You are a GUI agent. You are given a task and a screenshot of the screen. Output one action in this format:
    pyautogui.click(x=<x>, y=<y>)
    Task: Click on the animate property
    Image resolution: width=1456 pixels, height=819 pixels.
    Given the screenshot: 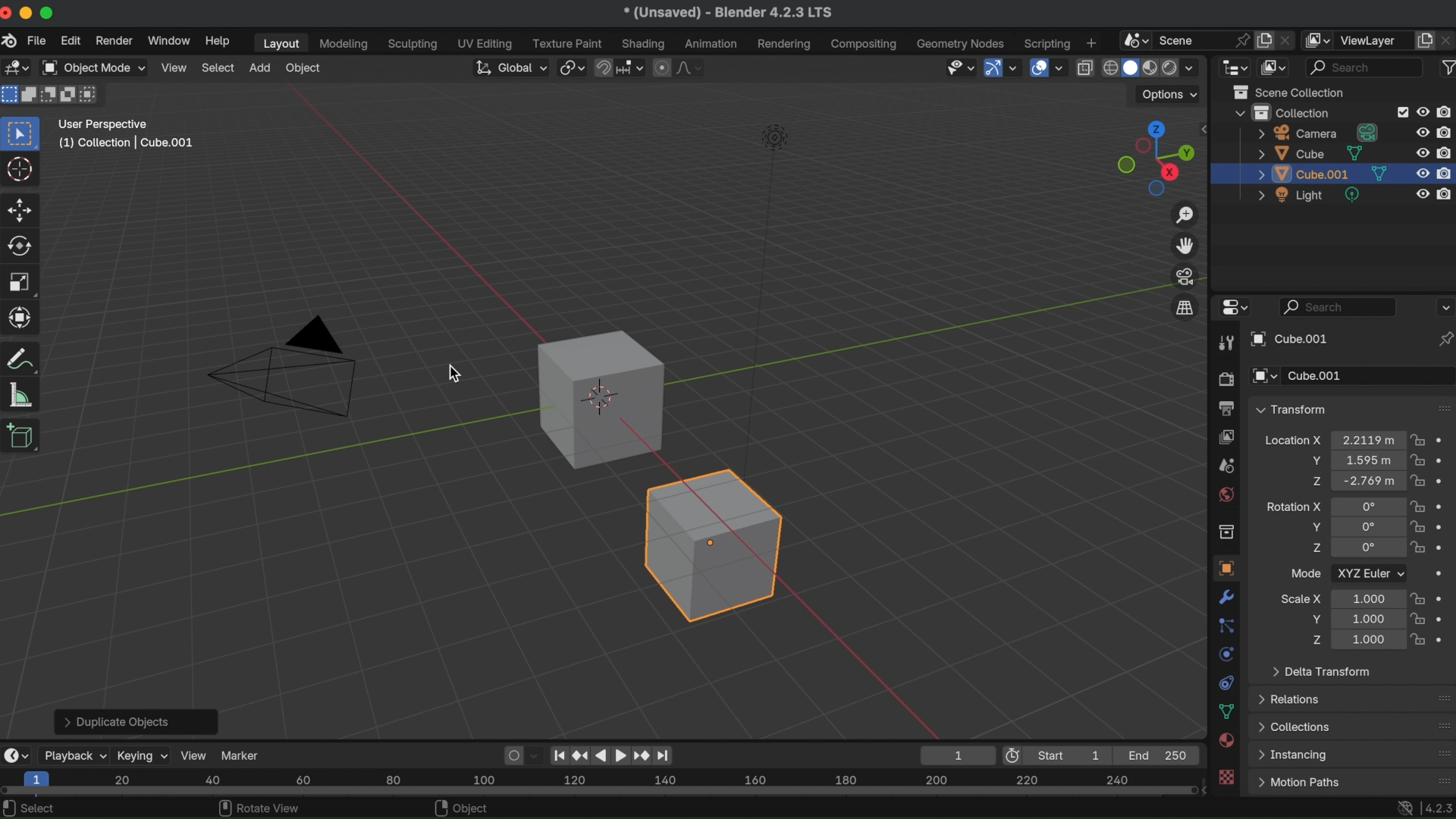 What is the action you would take?
    pyautogui.click(x=1444, y=638)
    